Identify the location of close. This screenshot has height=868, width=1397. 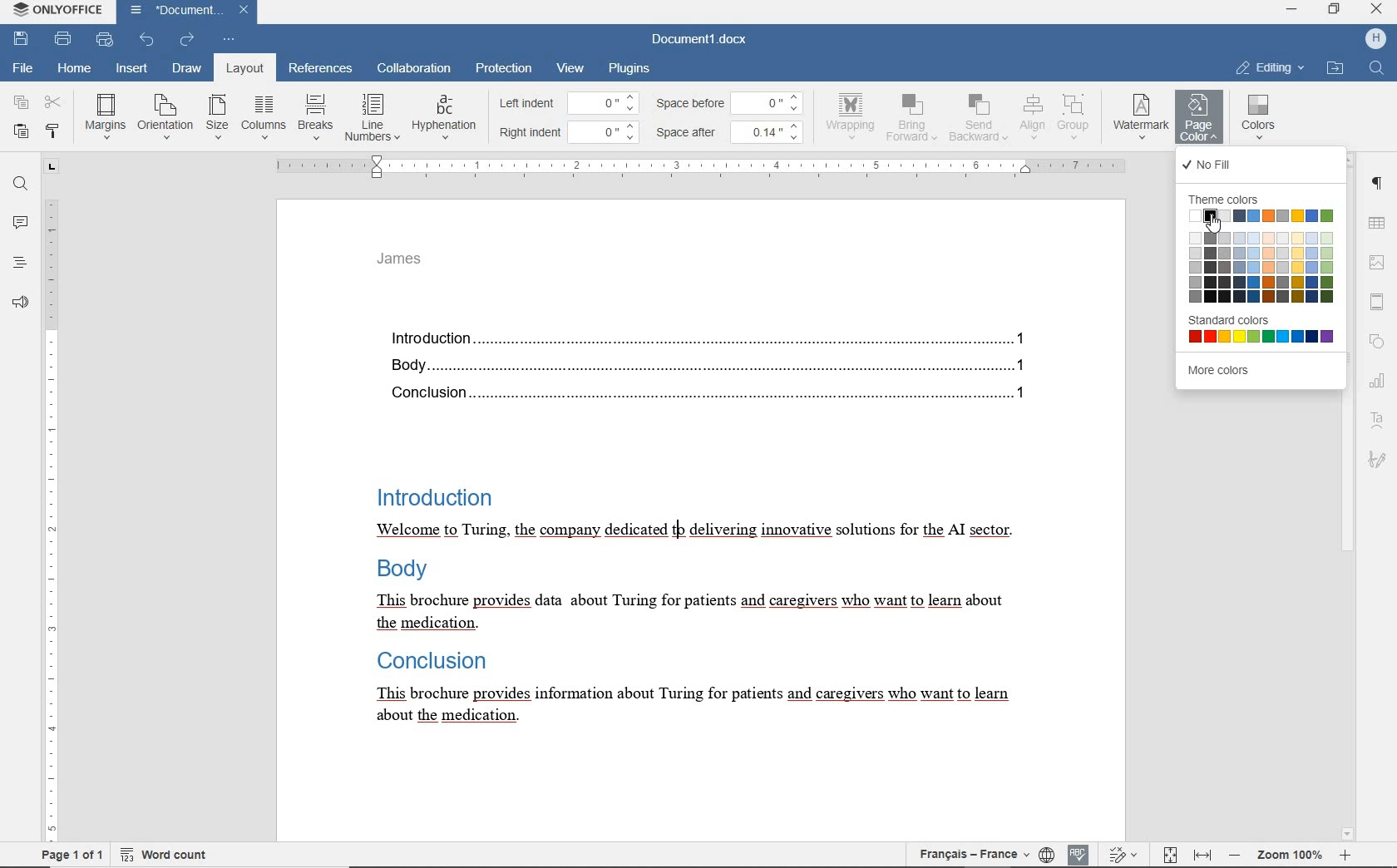
(251, 8).